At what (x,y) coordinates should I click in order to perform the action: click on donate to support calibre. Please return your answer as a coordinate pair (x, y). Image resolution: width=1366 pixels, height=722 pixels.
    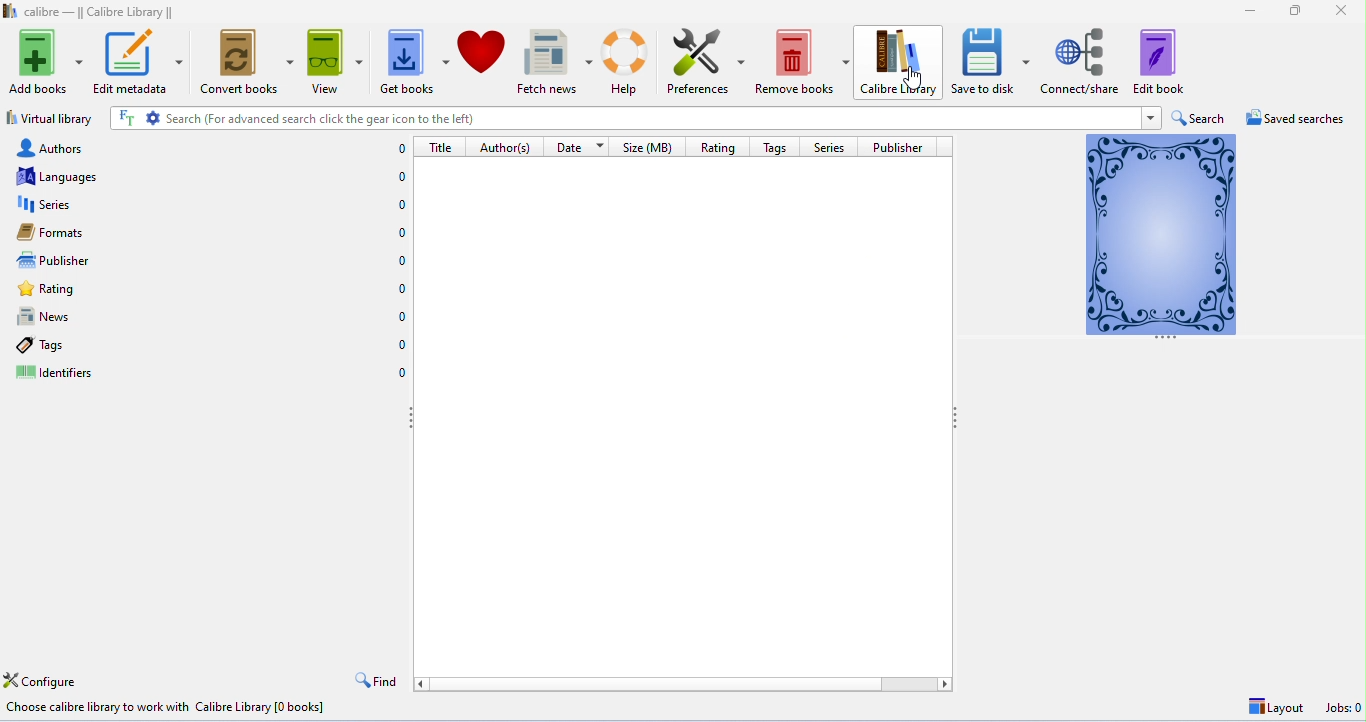
    Looking at the image, I should click on (482, 60).